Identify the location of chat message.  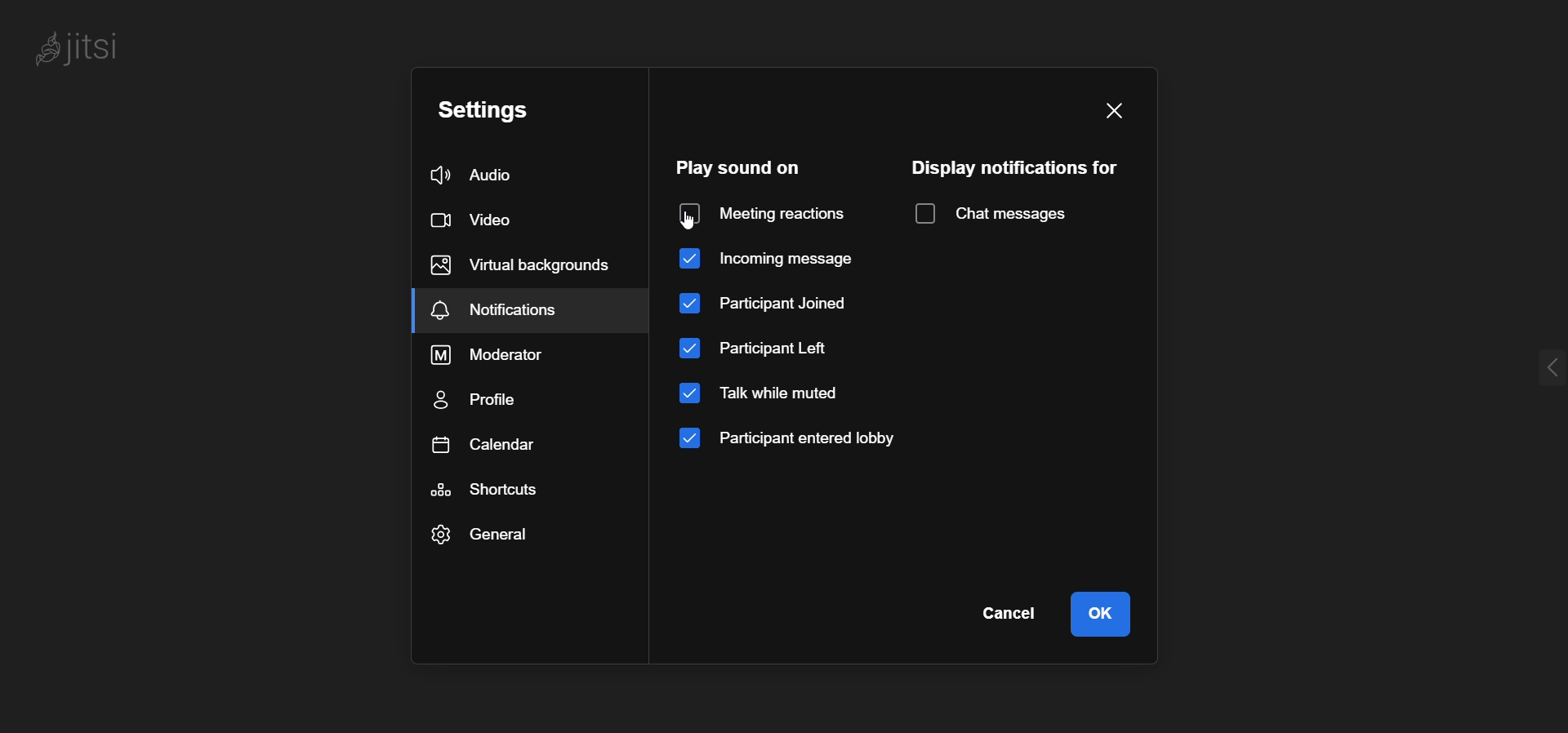
(993, 211).